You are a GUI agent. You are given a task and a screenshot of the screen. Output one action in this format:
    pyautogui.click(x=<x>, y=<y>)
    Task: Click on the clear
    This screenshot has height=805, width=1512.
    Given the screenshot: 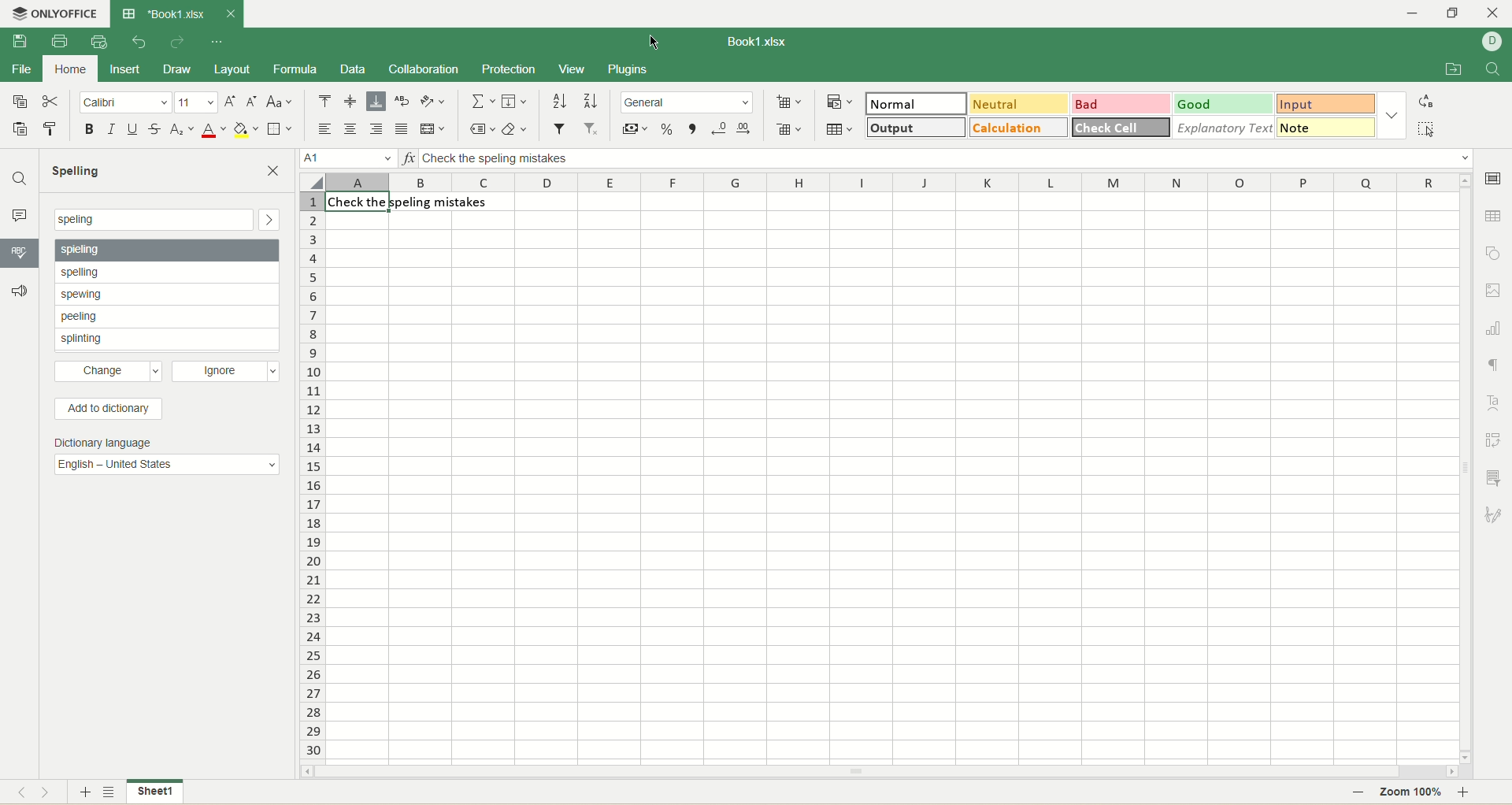 What is the action you would take?
    pyautogui.click(x=514, y=129)
    